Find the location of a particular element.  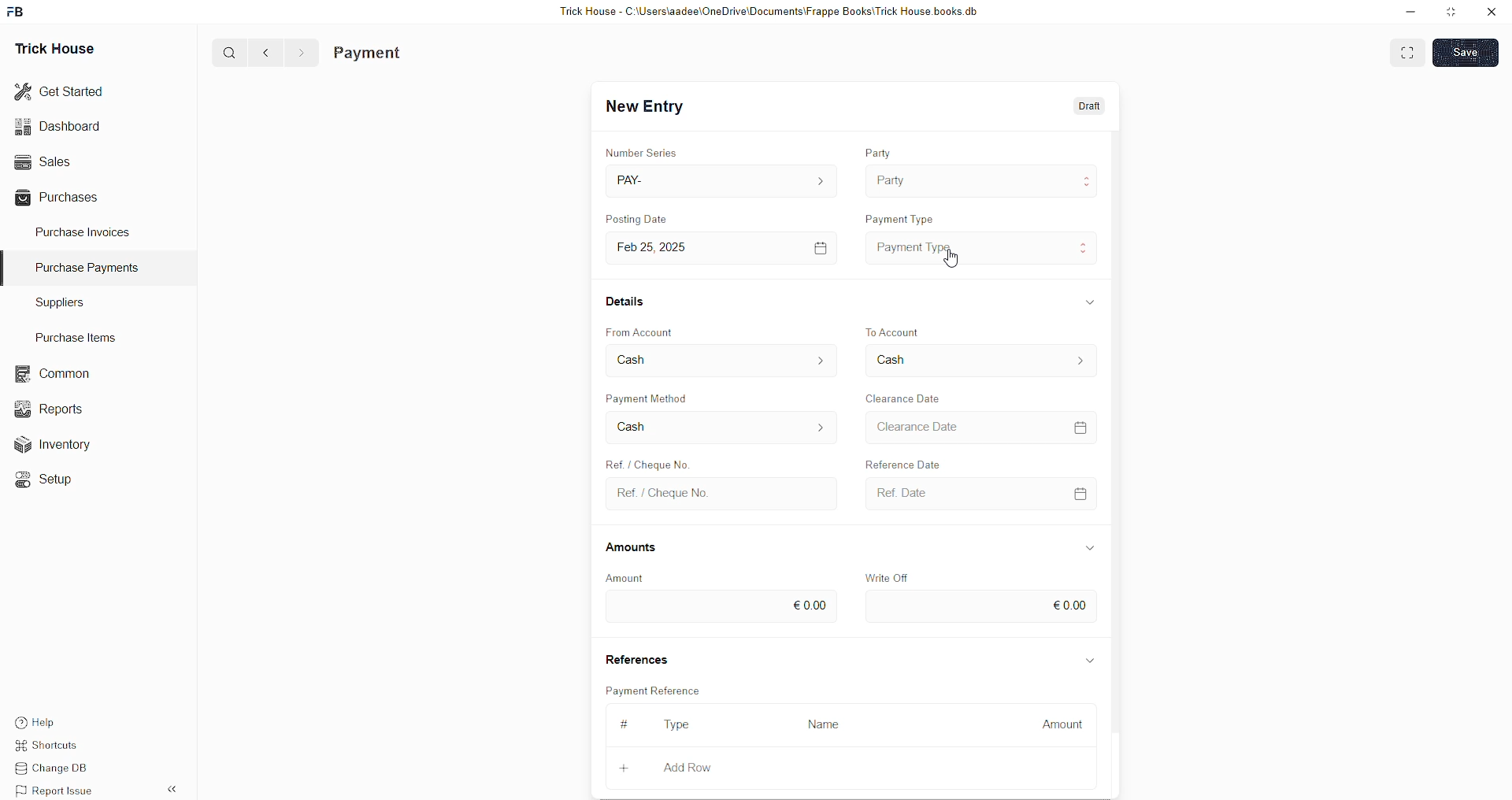

€0.00 is located at coordinates (810, 602).